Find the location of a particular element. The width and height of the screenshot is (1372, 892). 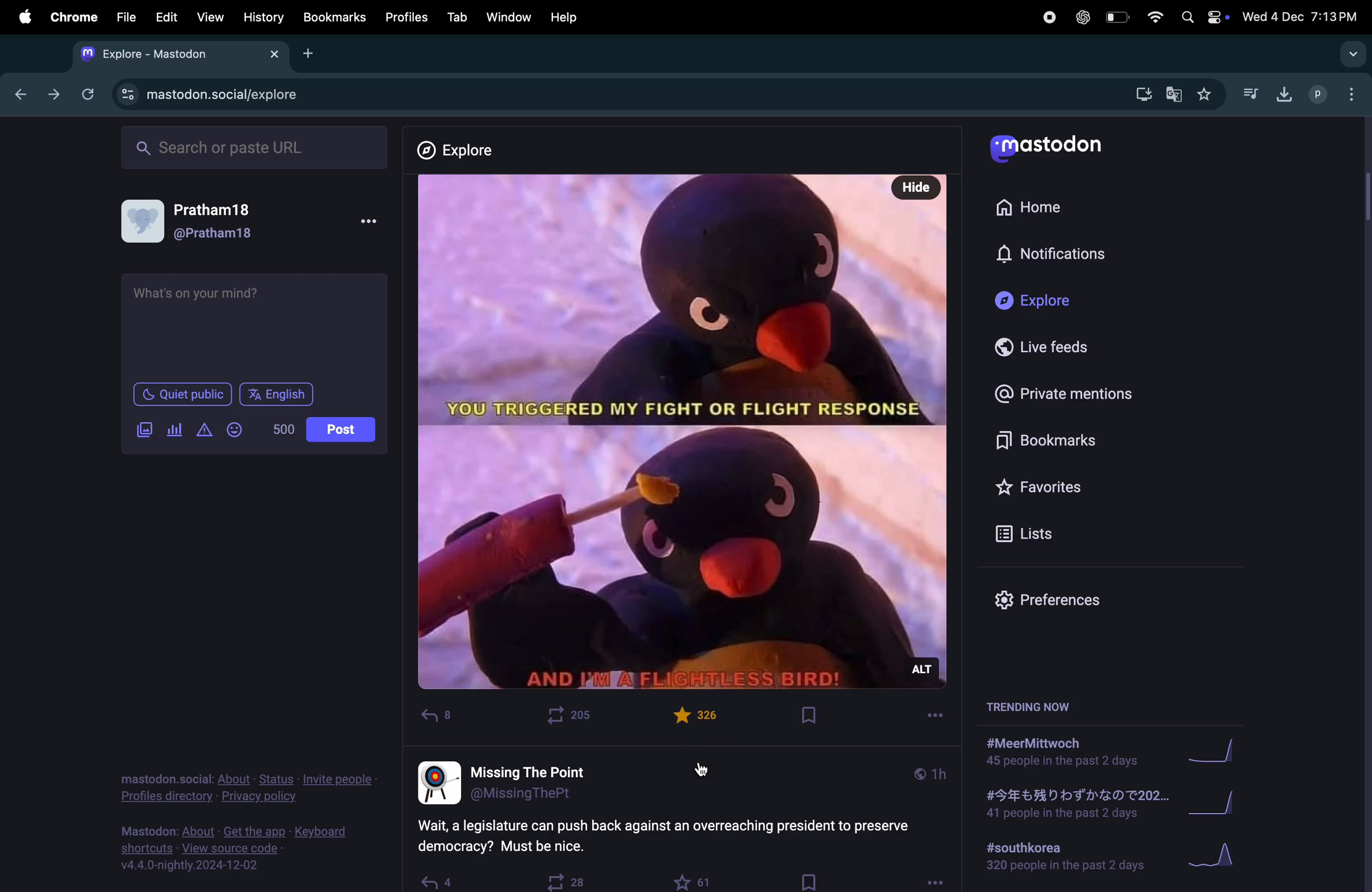

japanese is located at coordinates (1073, 802).